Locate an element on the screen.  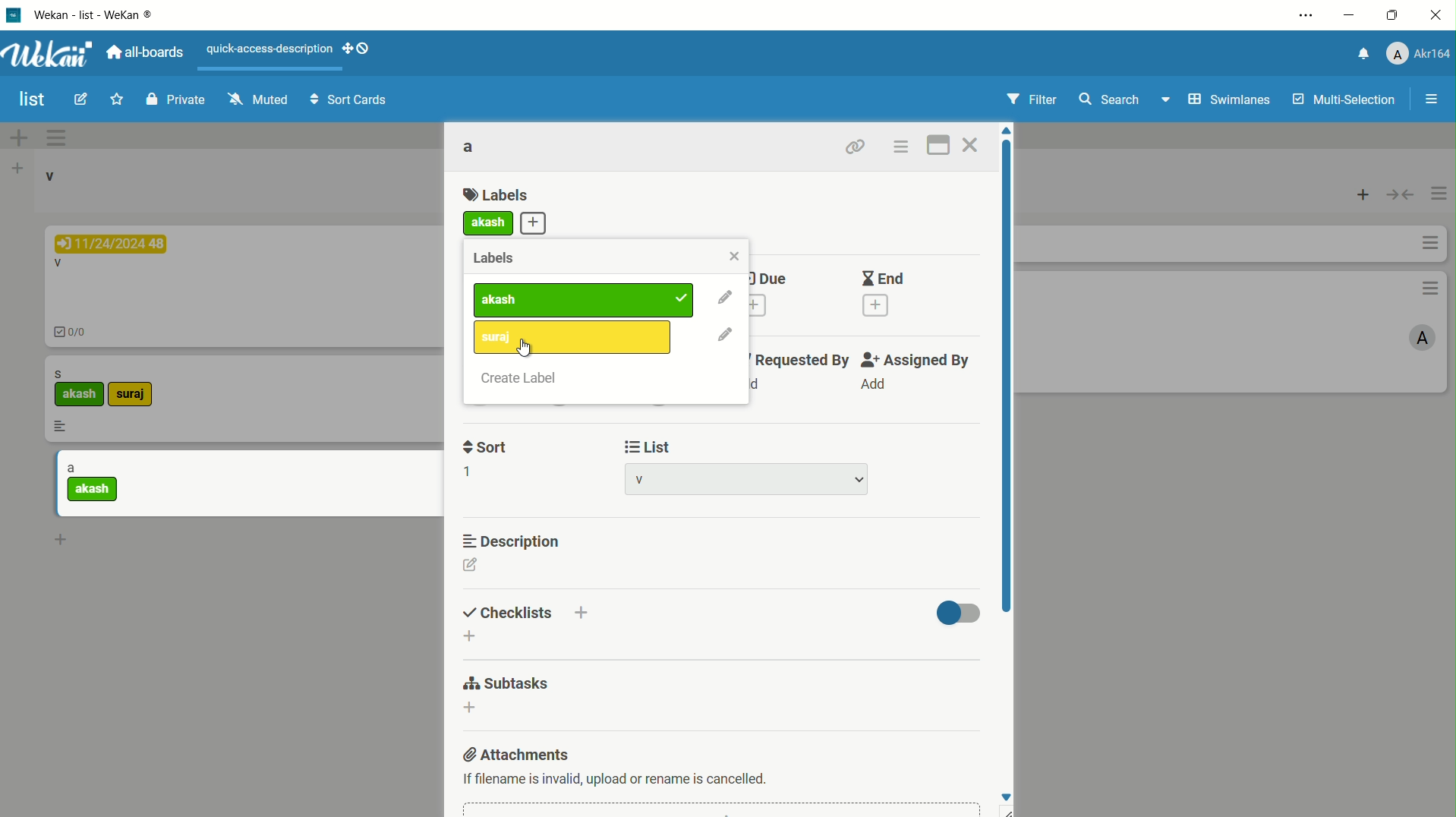
add end date is located at coordinates (878, 304).